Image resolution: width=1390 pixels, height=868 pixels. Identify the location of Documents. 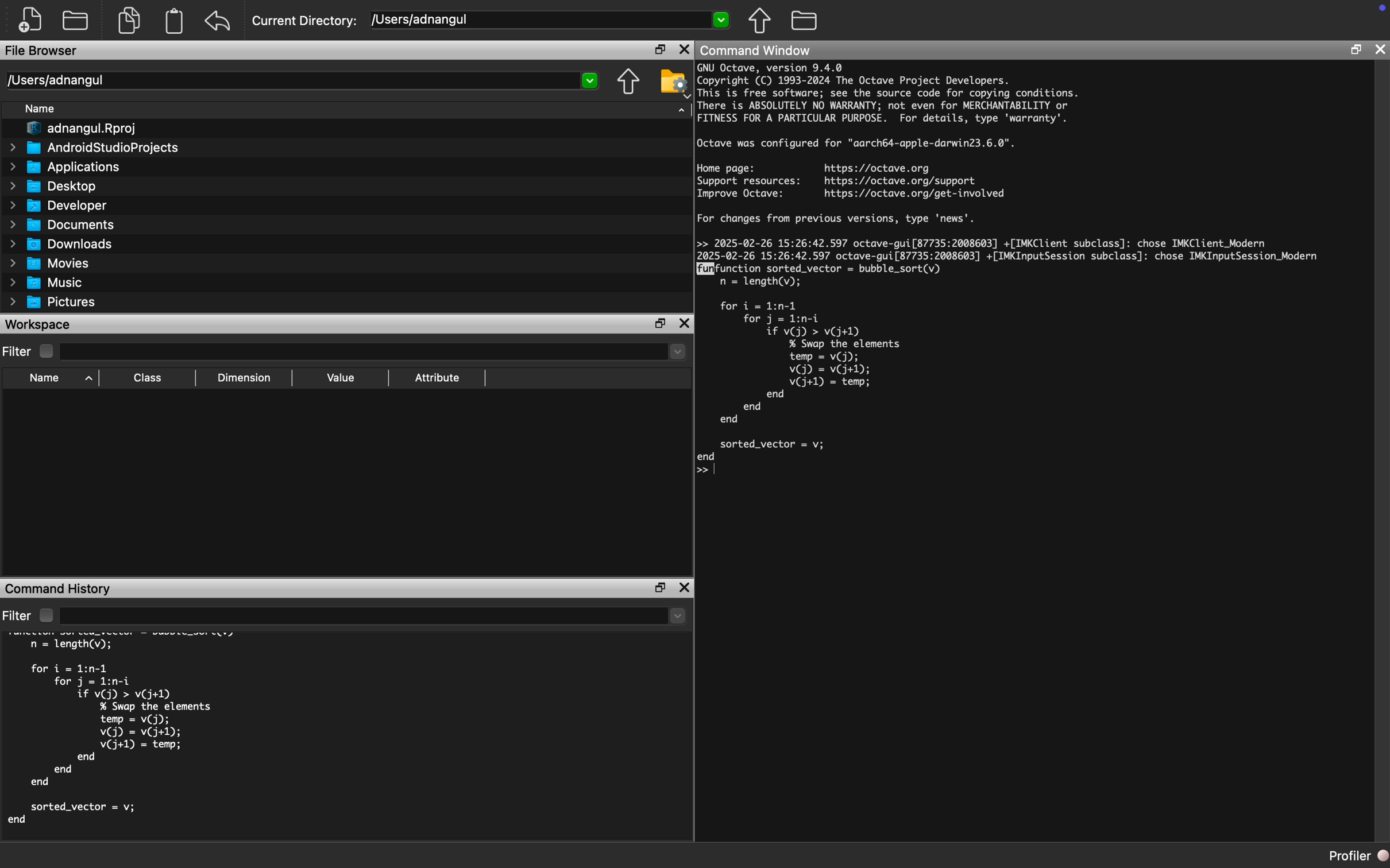
(61, 224).